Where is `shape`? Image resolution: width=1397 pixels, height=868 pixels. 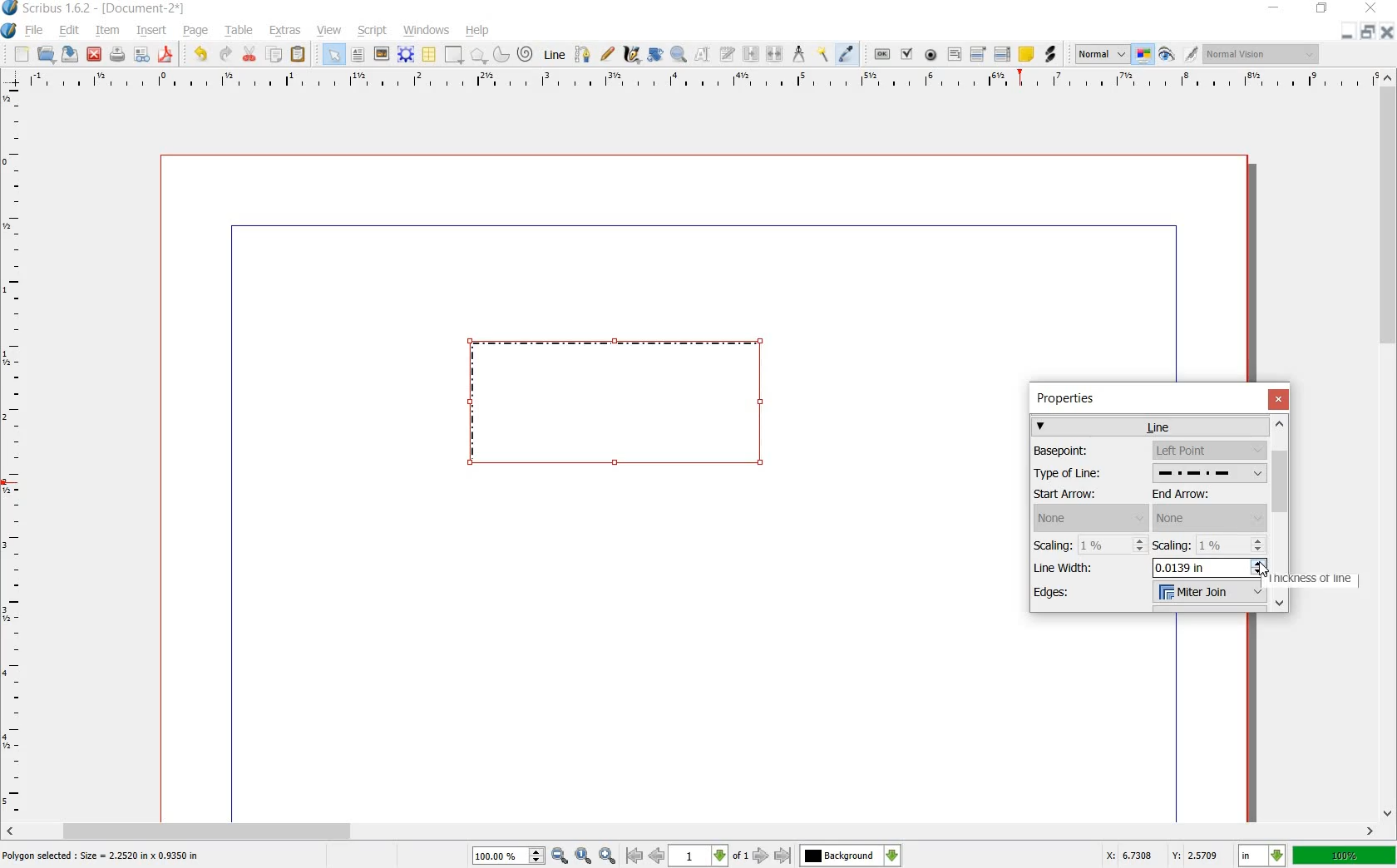
shape is located at coordinates (634, 406).